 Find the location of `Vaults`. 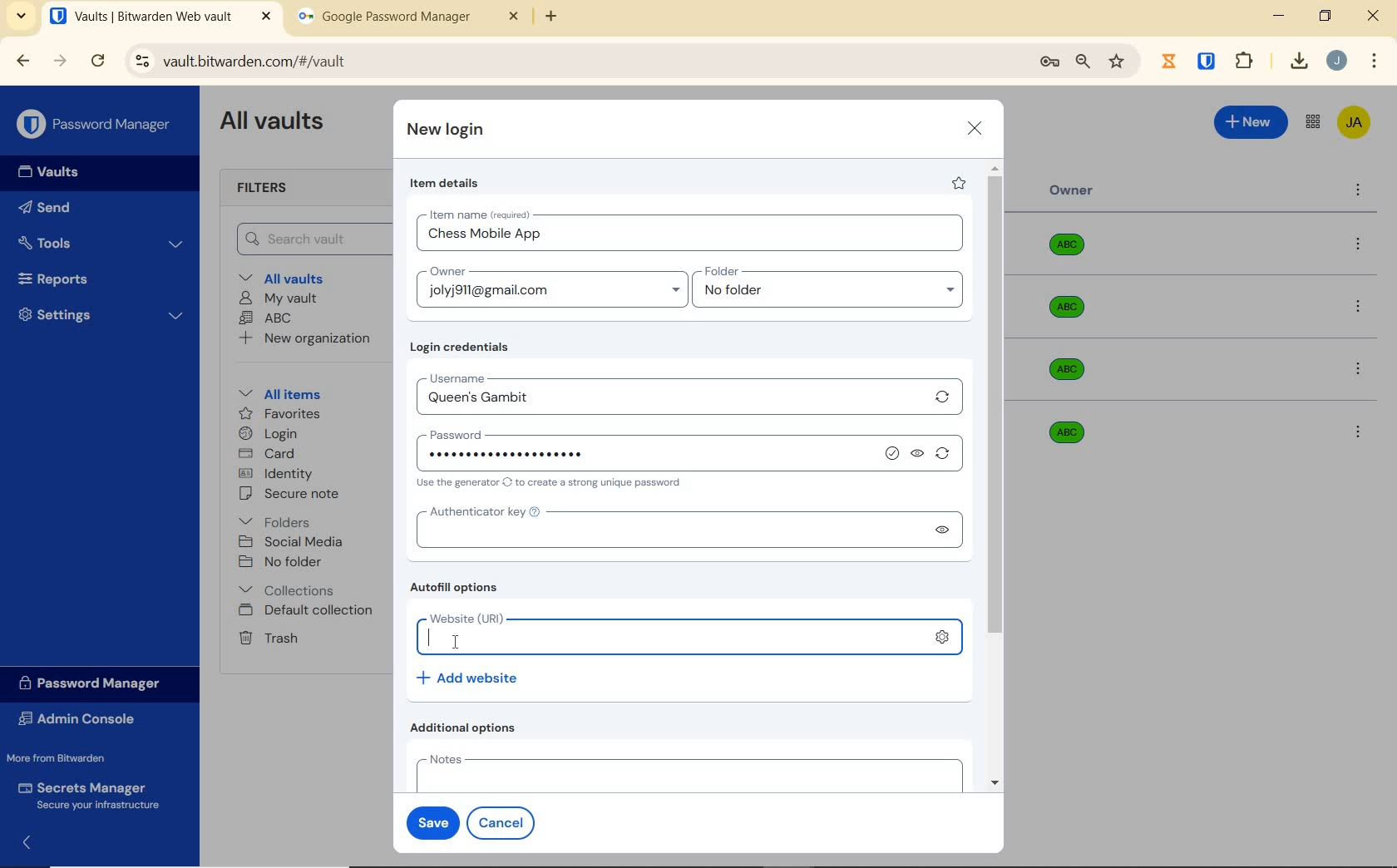

Vaults is located at coordinates (53, 172).